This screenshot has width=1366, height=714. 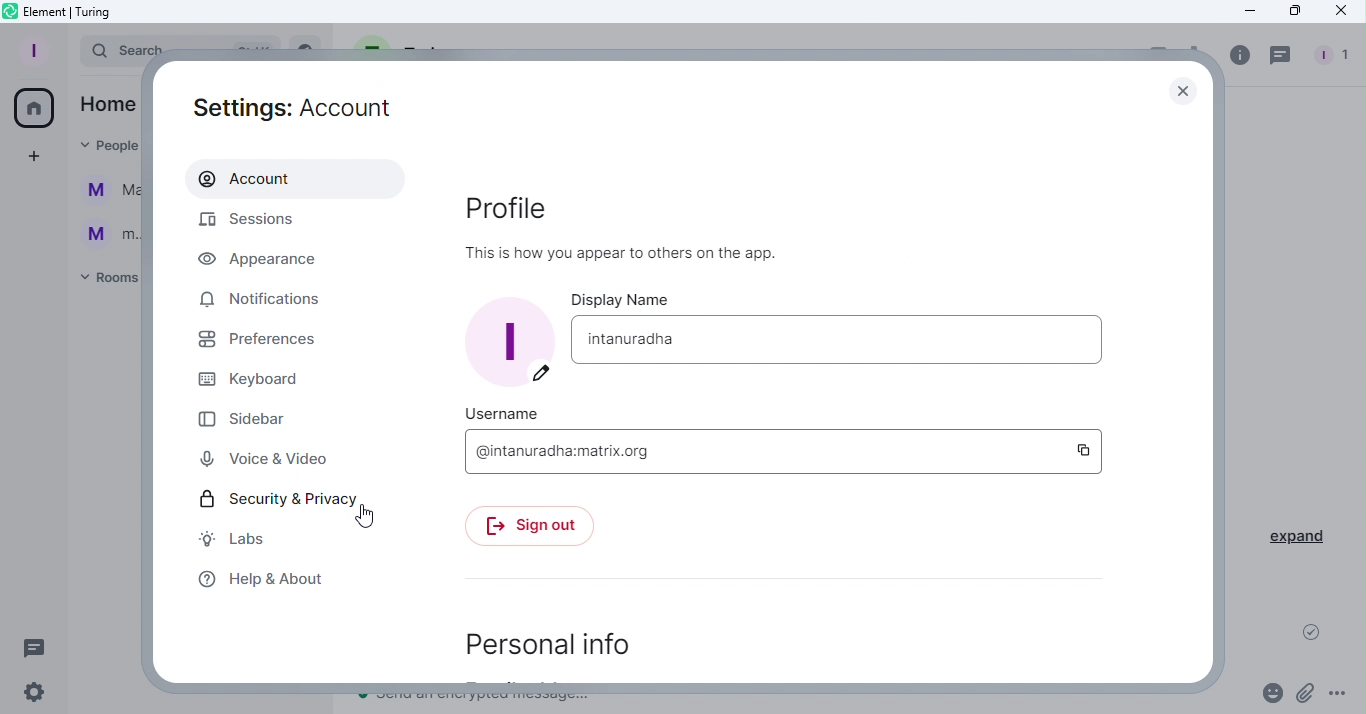 What do you see at coordinates (511, 341) in the screenshot?
I see `Display picture` at bounding box center [511, 341].